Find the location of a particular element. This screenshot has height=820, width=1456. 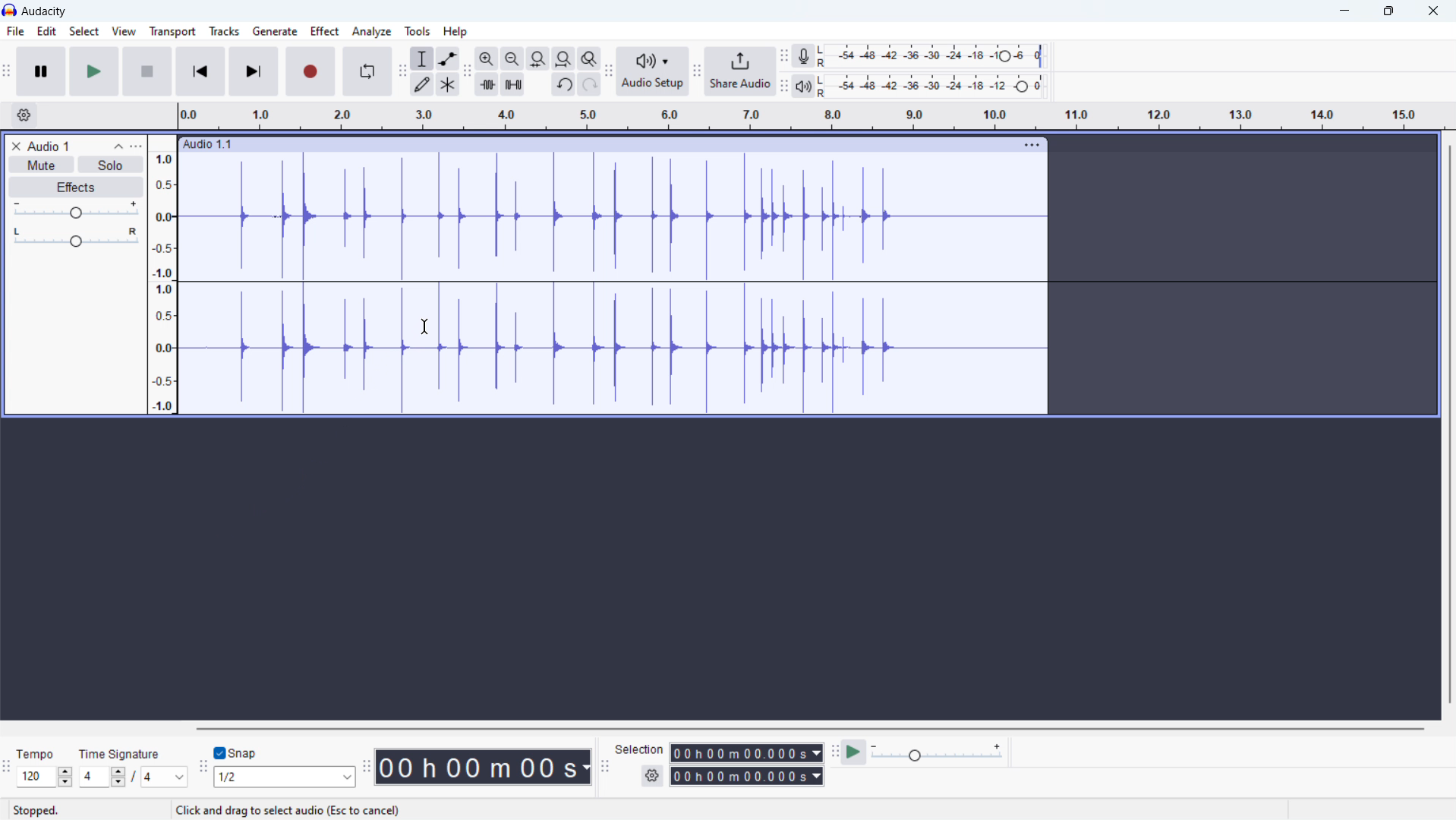

Stopped is located at coordinates (36, 809).